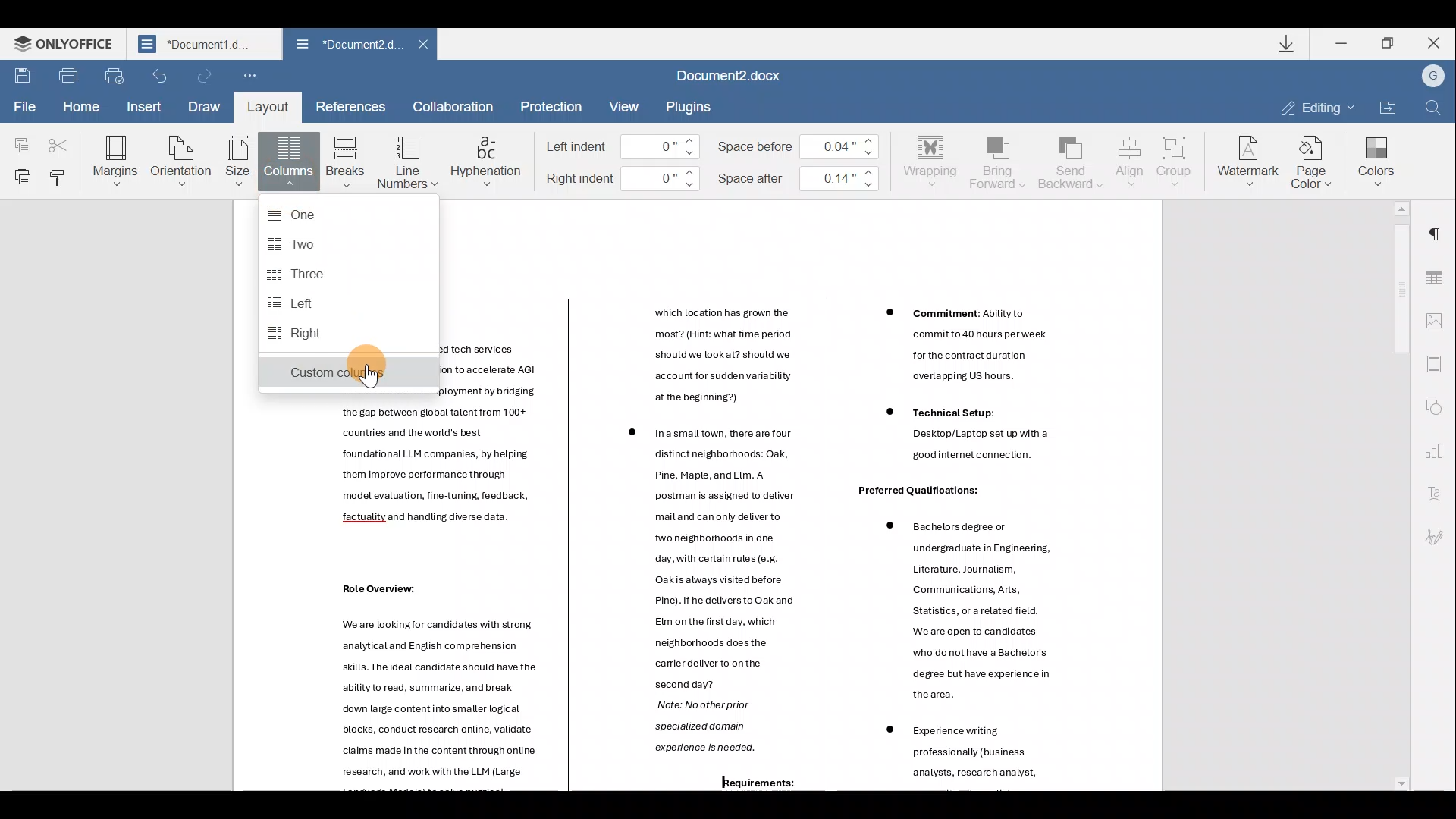 This screenshot has height=819, width=1456. I want to click on Bring forward, so click(998, 160).